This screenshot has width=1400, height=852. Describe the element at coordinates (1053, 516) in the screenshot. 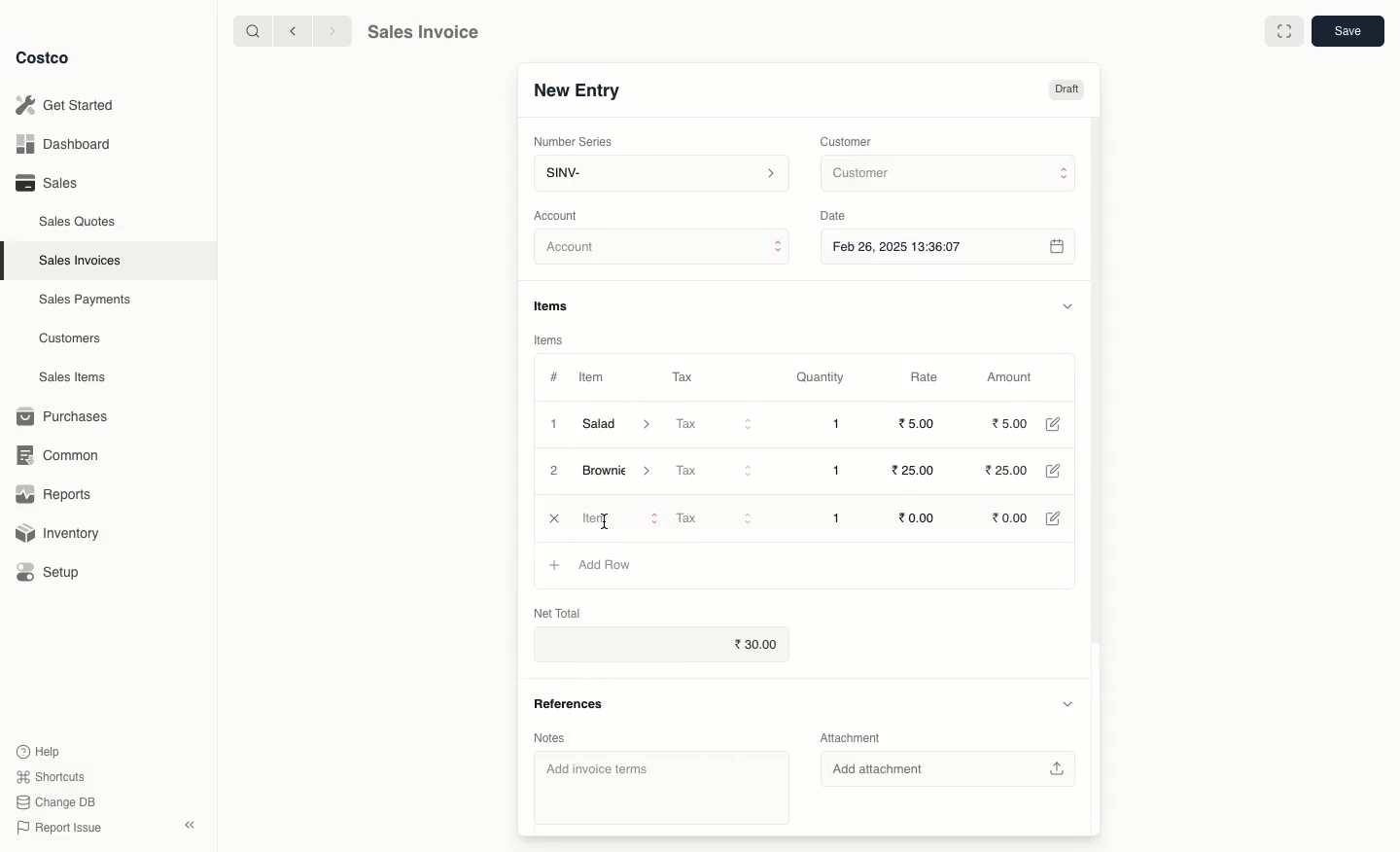

I see `Edit` at that location.